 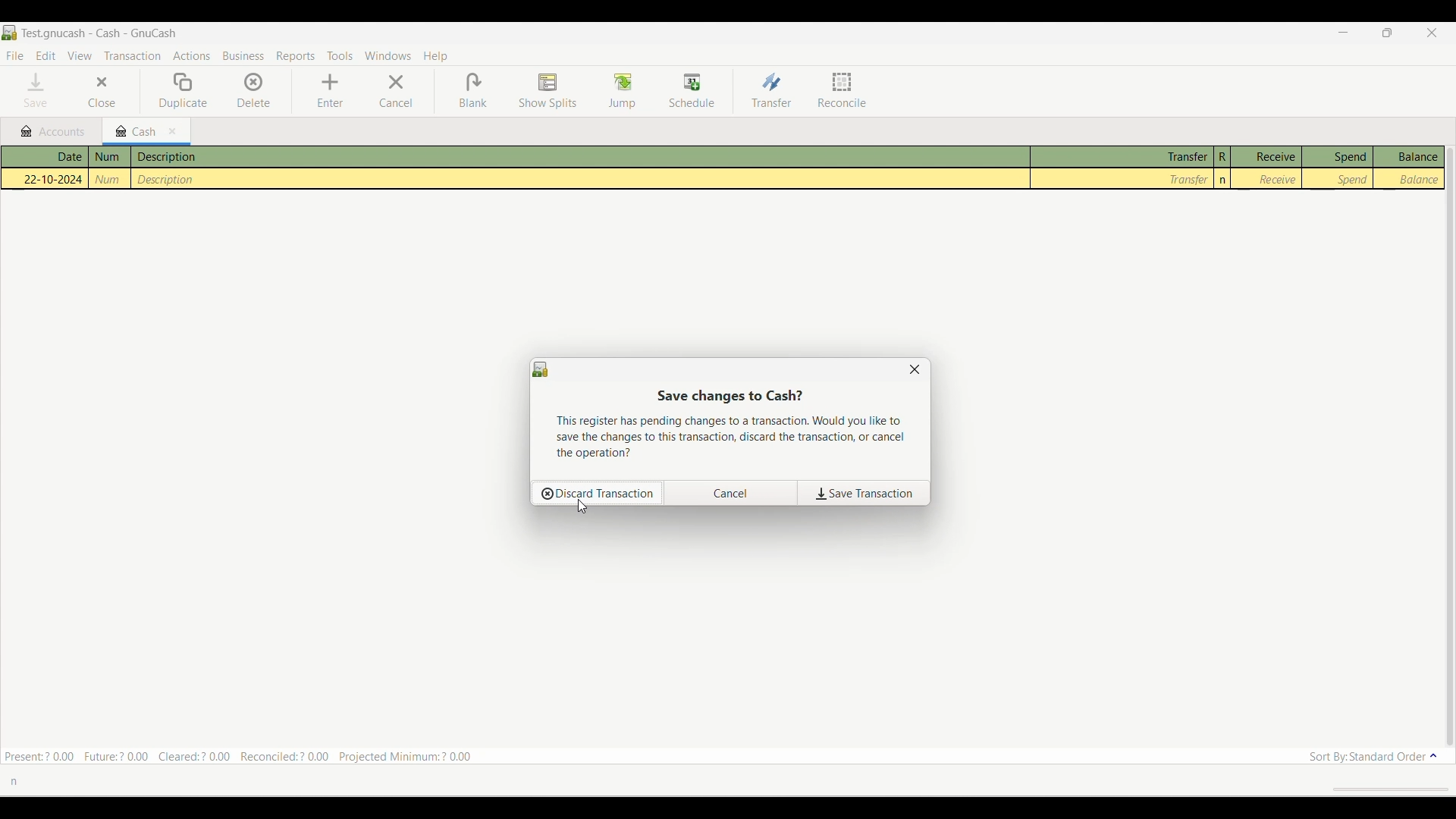 I want to click on Help, so click(x=436, y=56).